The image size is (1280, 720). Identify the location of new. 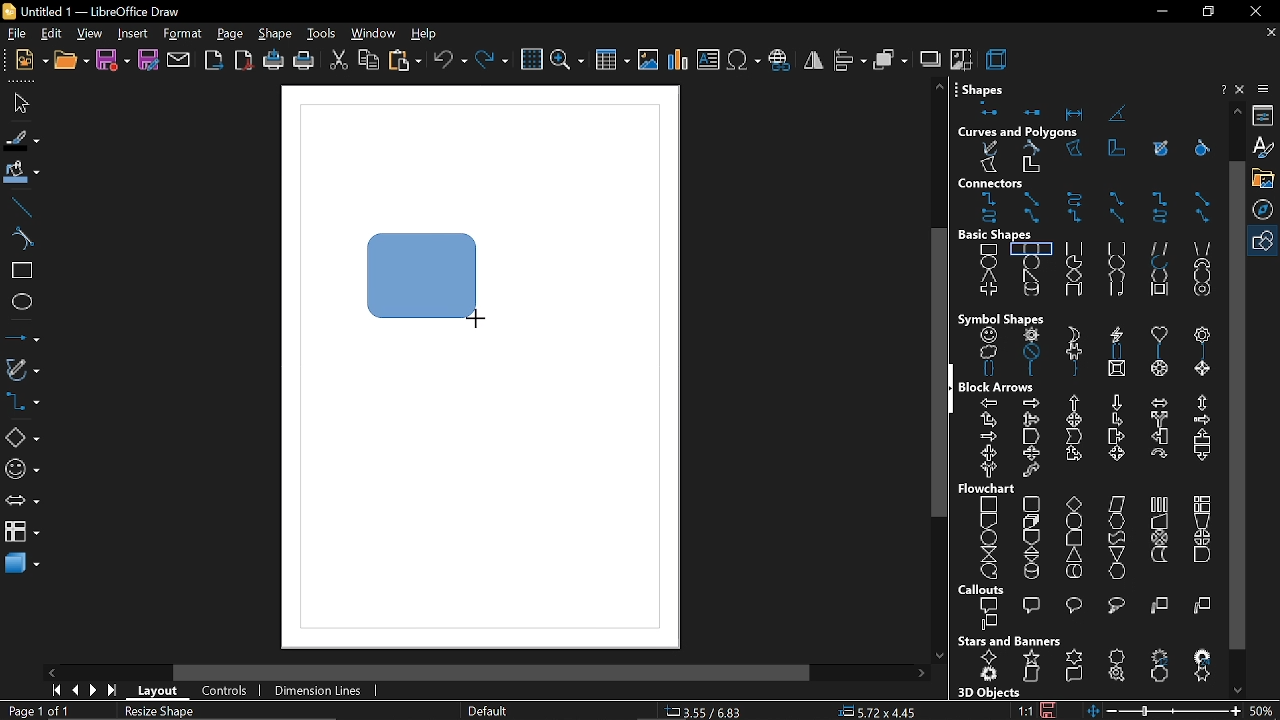
(27, 61).